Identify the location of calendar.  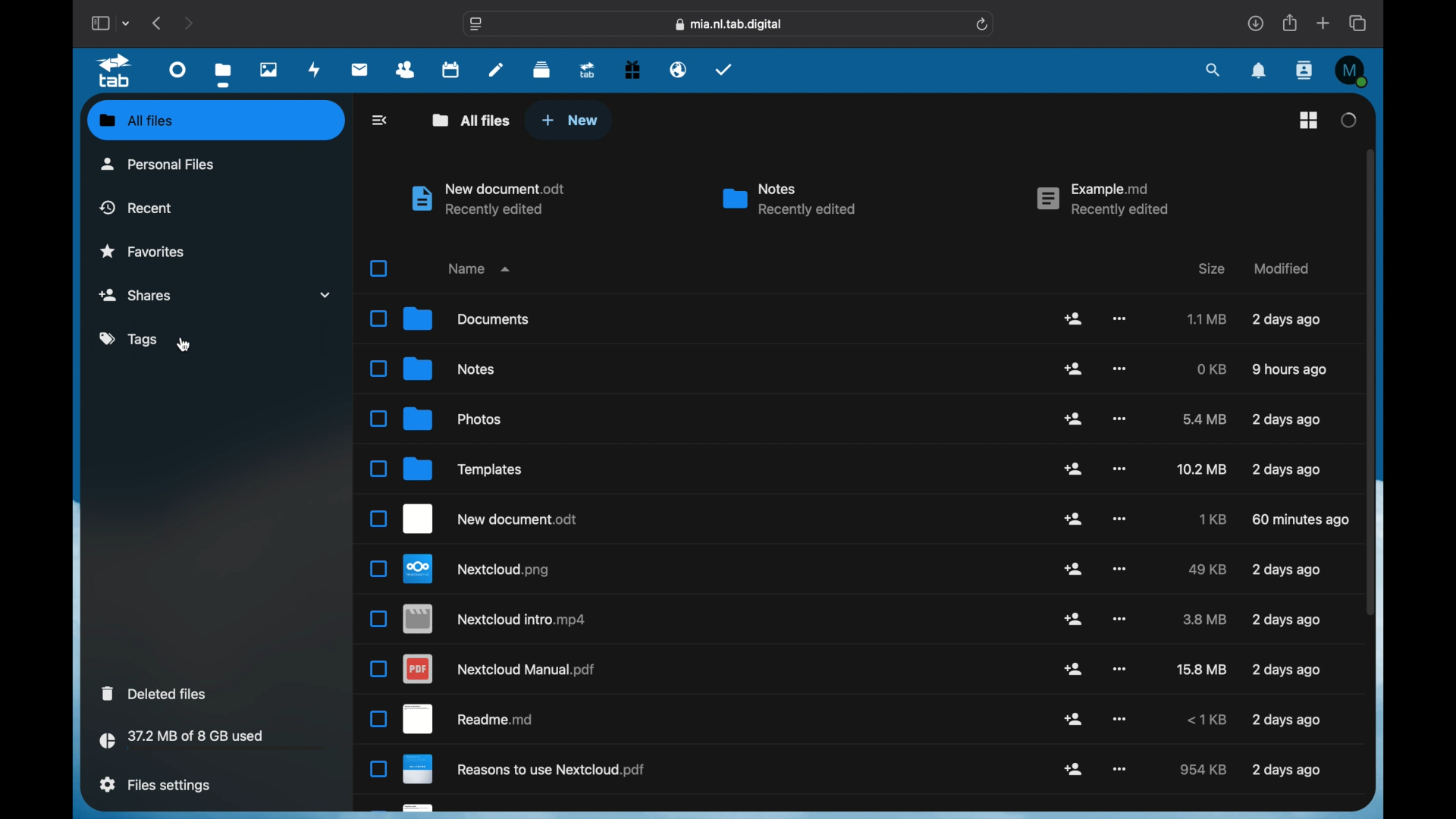
(452, 69).